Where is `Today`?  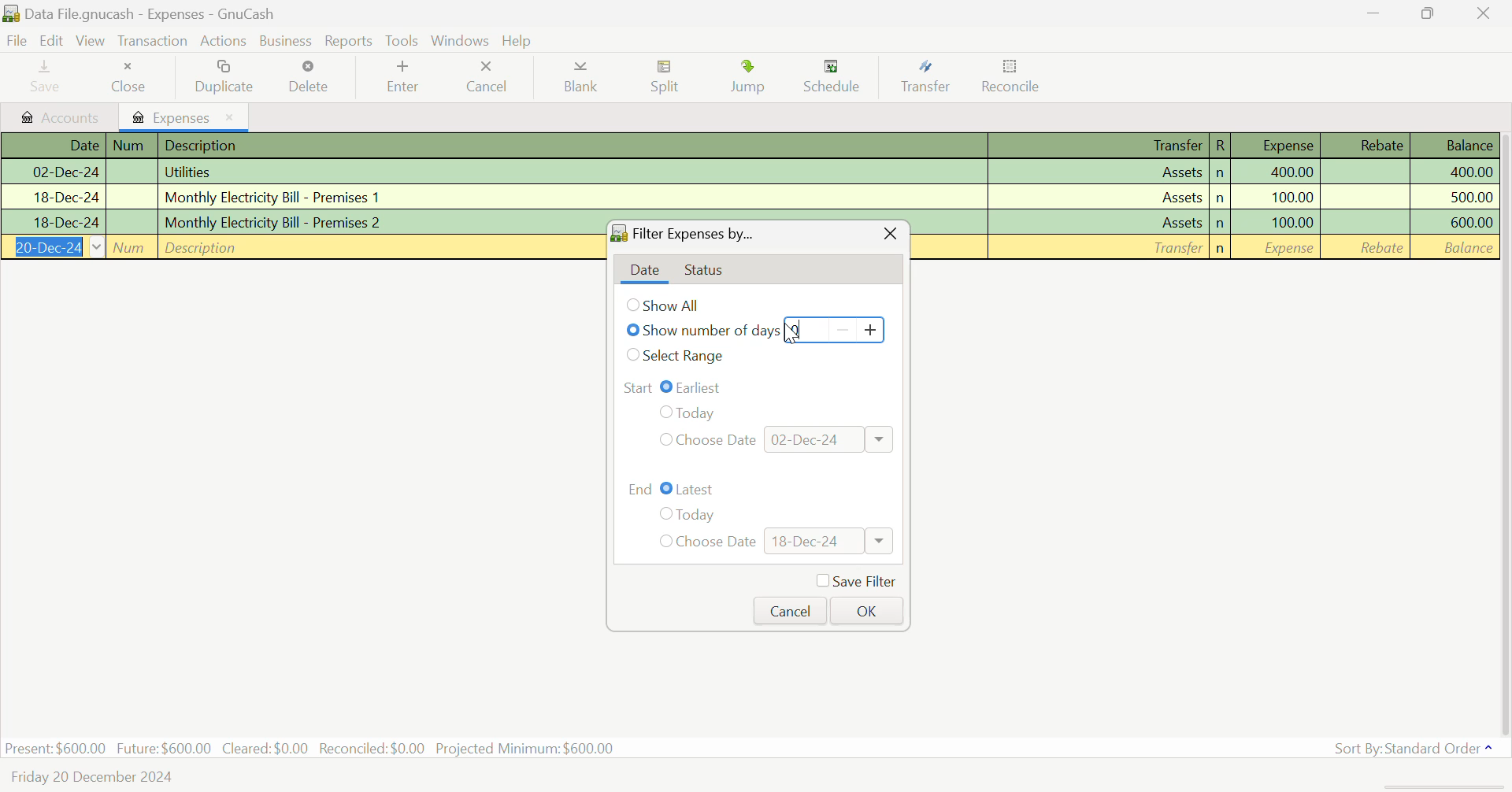 Today is located at coordinates (688, 516).